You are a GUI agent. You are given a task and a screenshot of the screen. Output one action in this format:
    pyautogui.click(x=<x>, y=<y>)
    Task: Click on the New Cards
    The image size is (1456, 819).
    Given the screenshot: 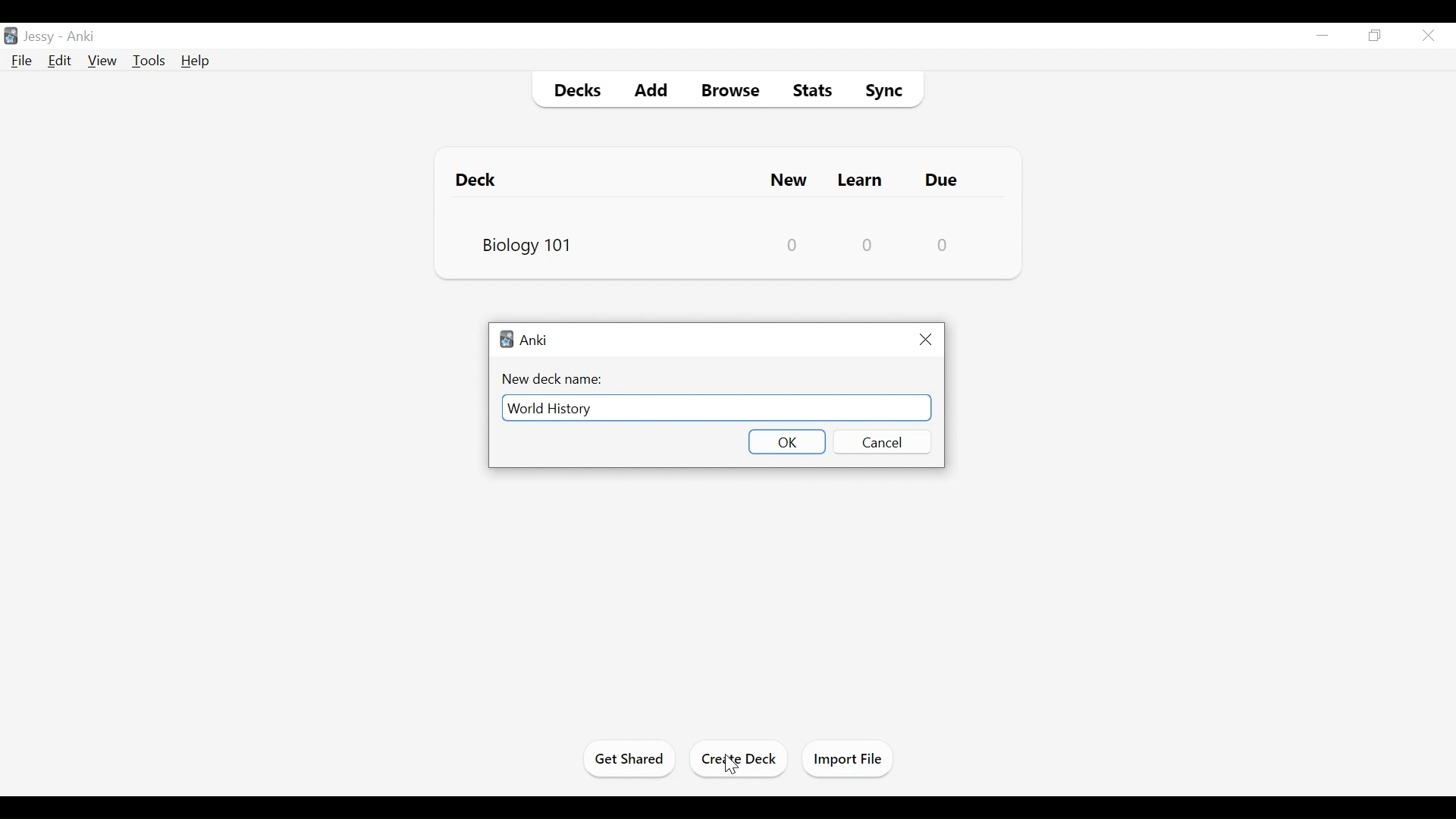 What is the action you would take?
    pyautogui.click(x=790, y=179)
    